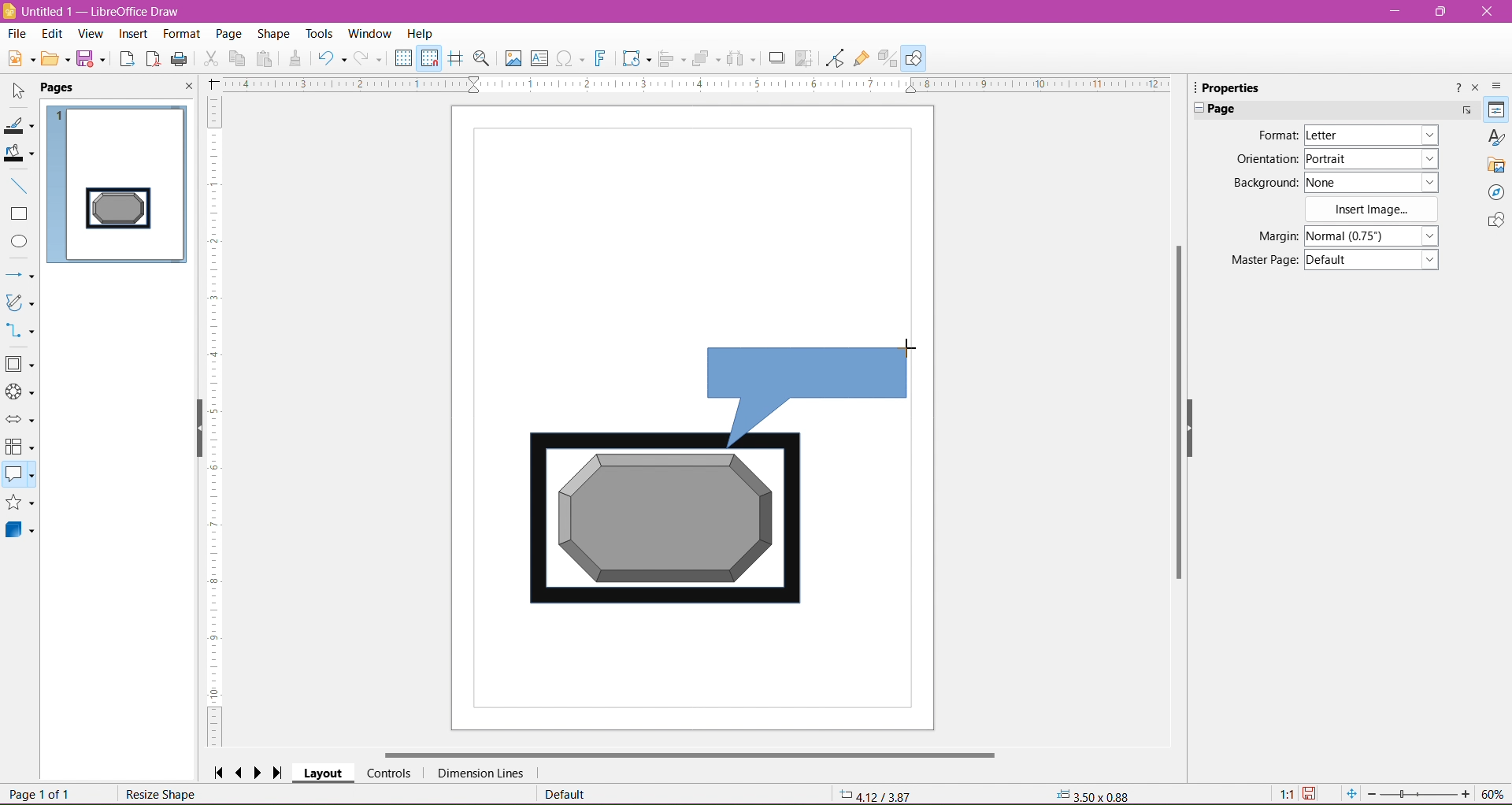  What do you see at coordinates (16, 33) in the screenshot?
I see `File` at bounding box center [16, 33].